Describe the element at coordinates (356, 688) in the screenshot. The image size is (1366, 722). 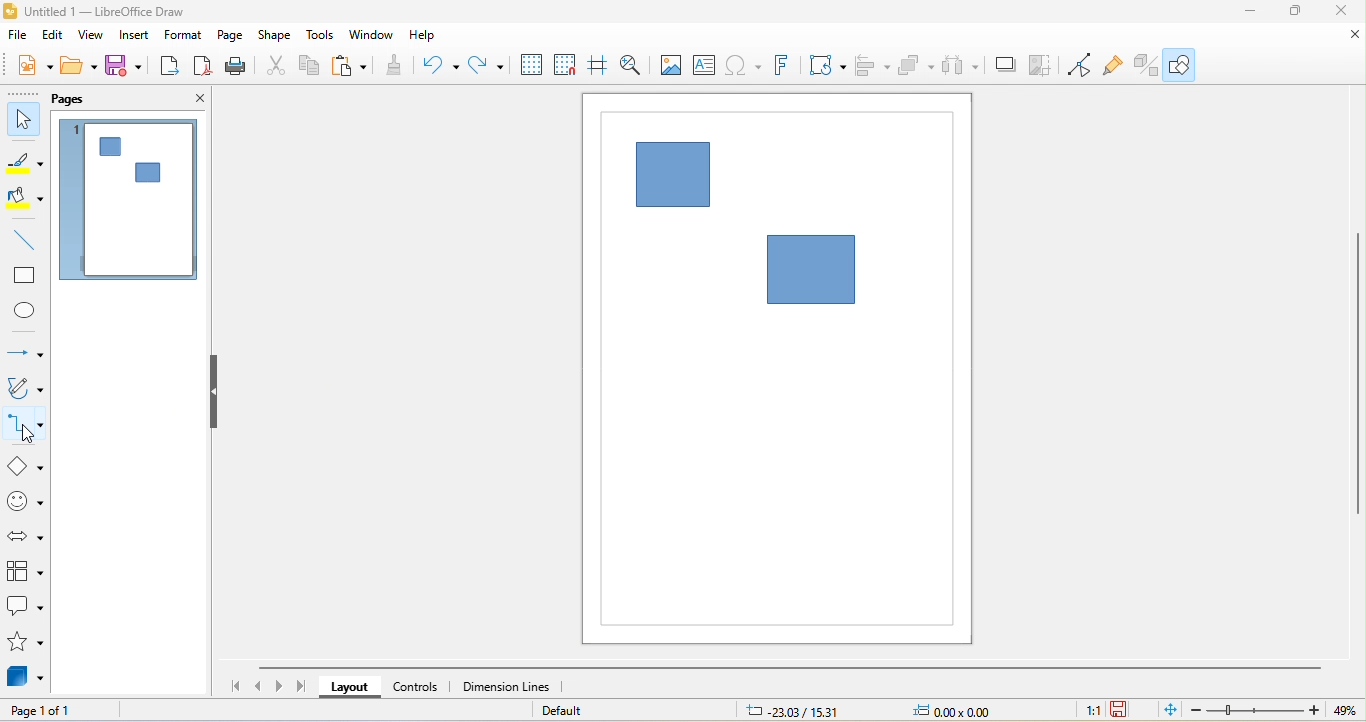
I see `layout` at that location.